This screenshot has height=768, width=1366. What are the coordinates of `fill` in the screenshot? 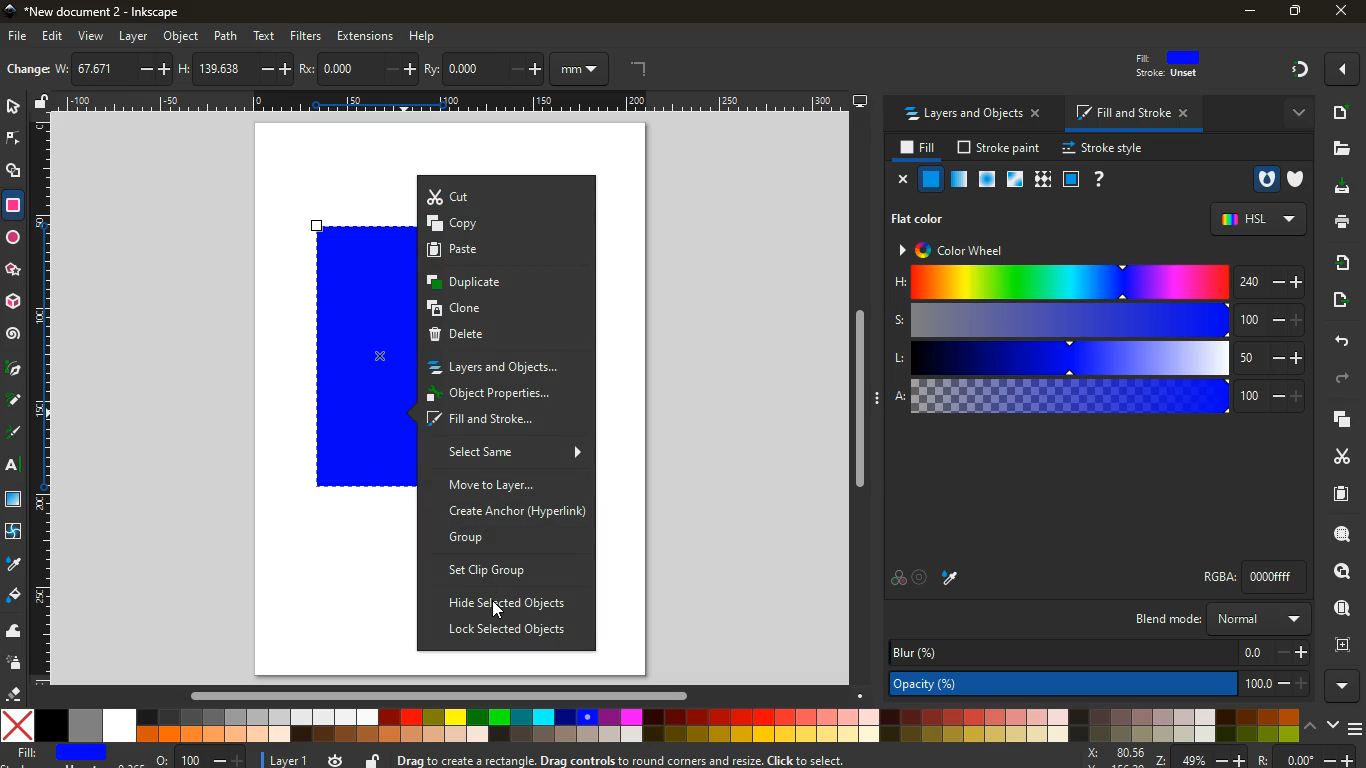 It's located at (918, 151).